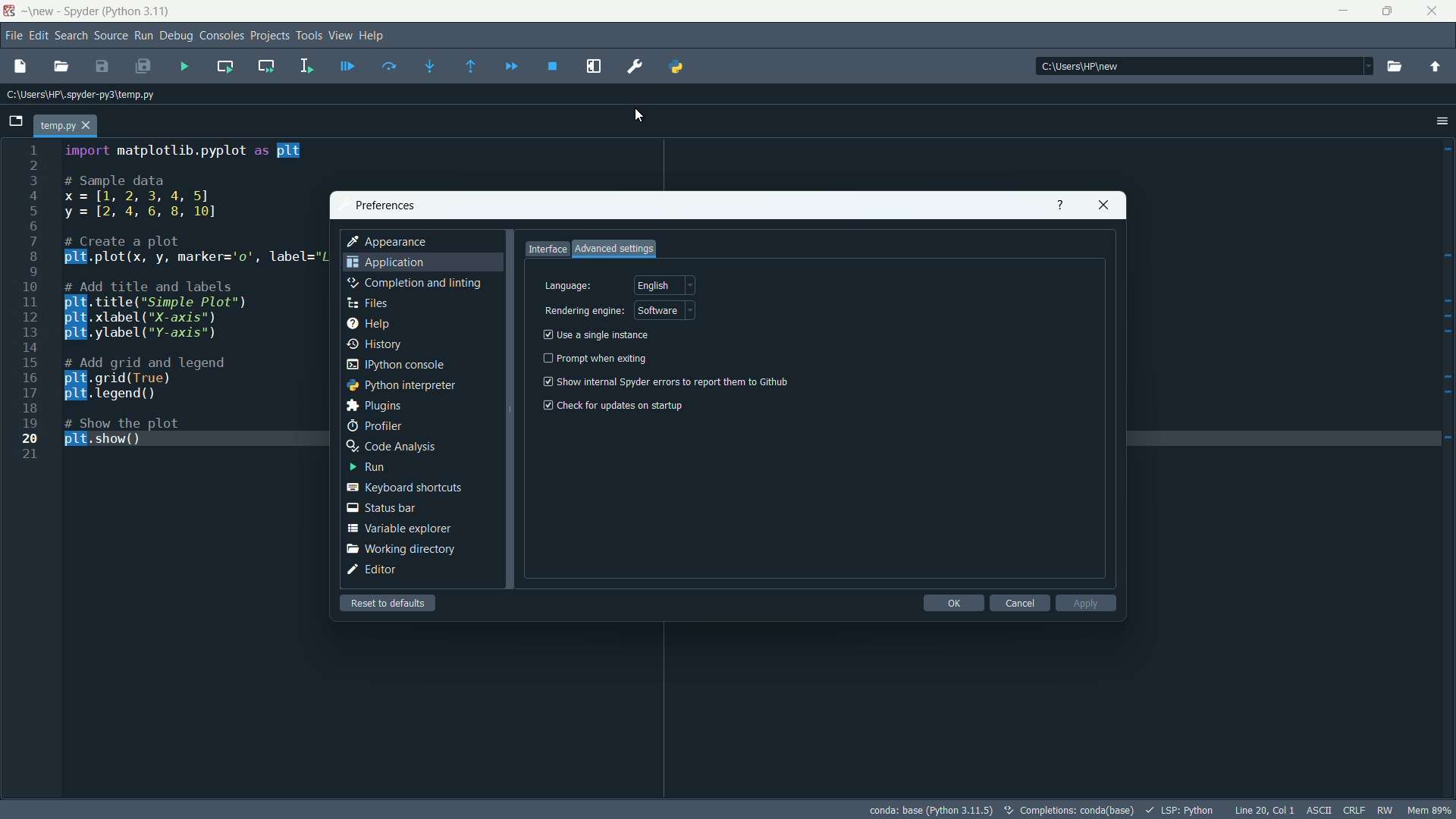 This screenshot has width=1456, height=819. Describe the element at coordinates (614, 248) in the screenshot. I see `advance settings` at that location.